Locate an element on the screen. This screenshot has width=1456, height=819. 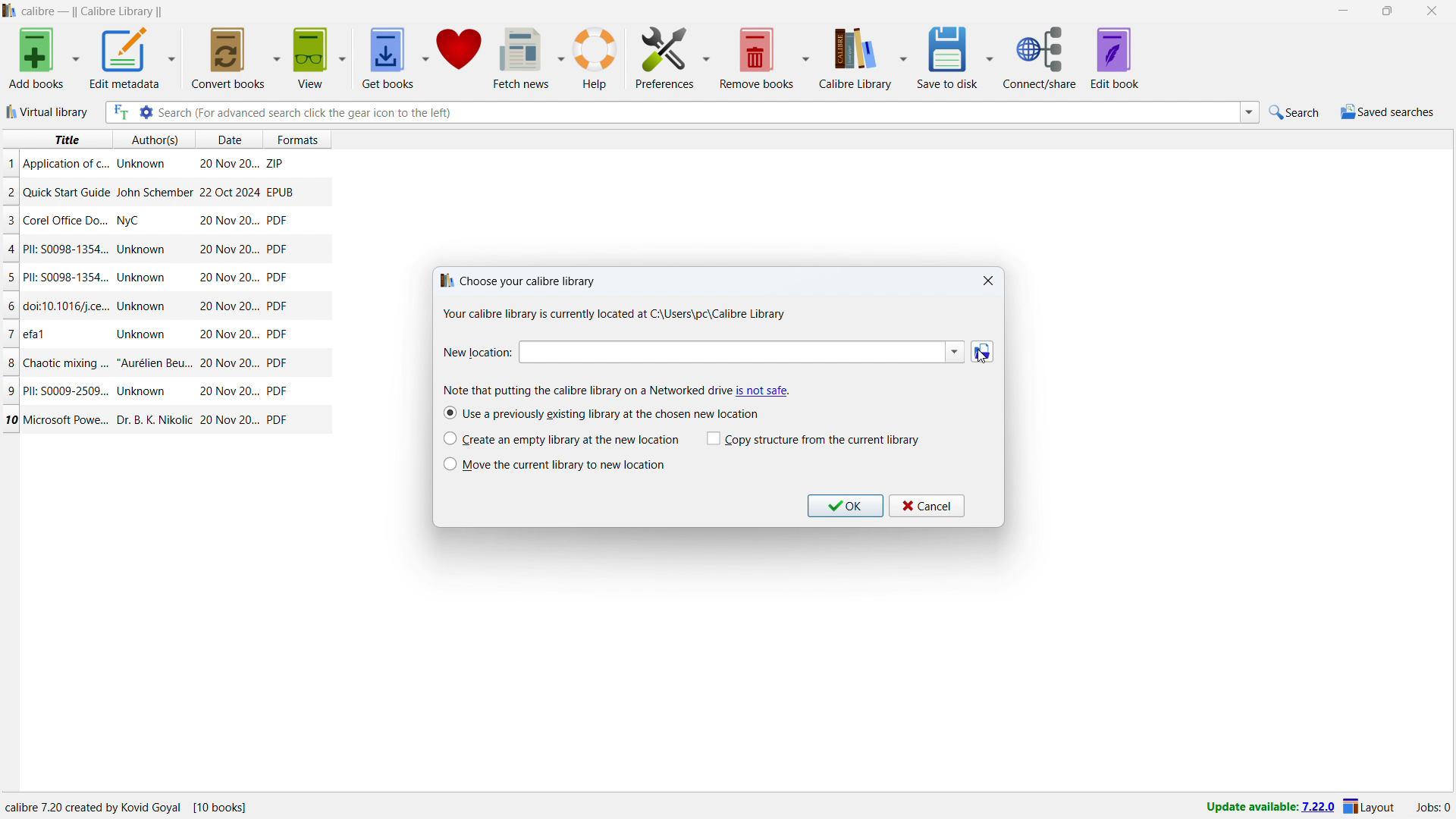
edit metadata options is located at coordinates (171, 58).